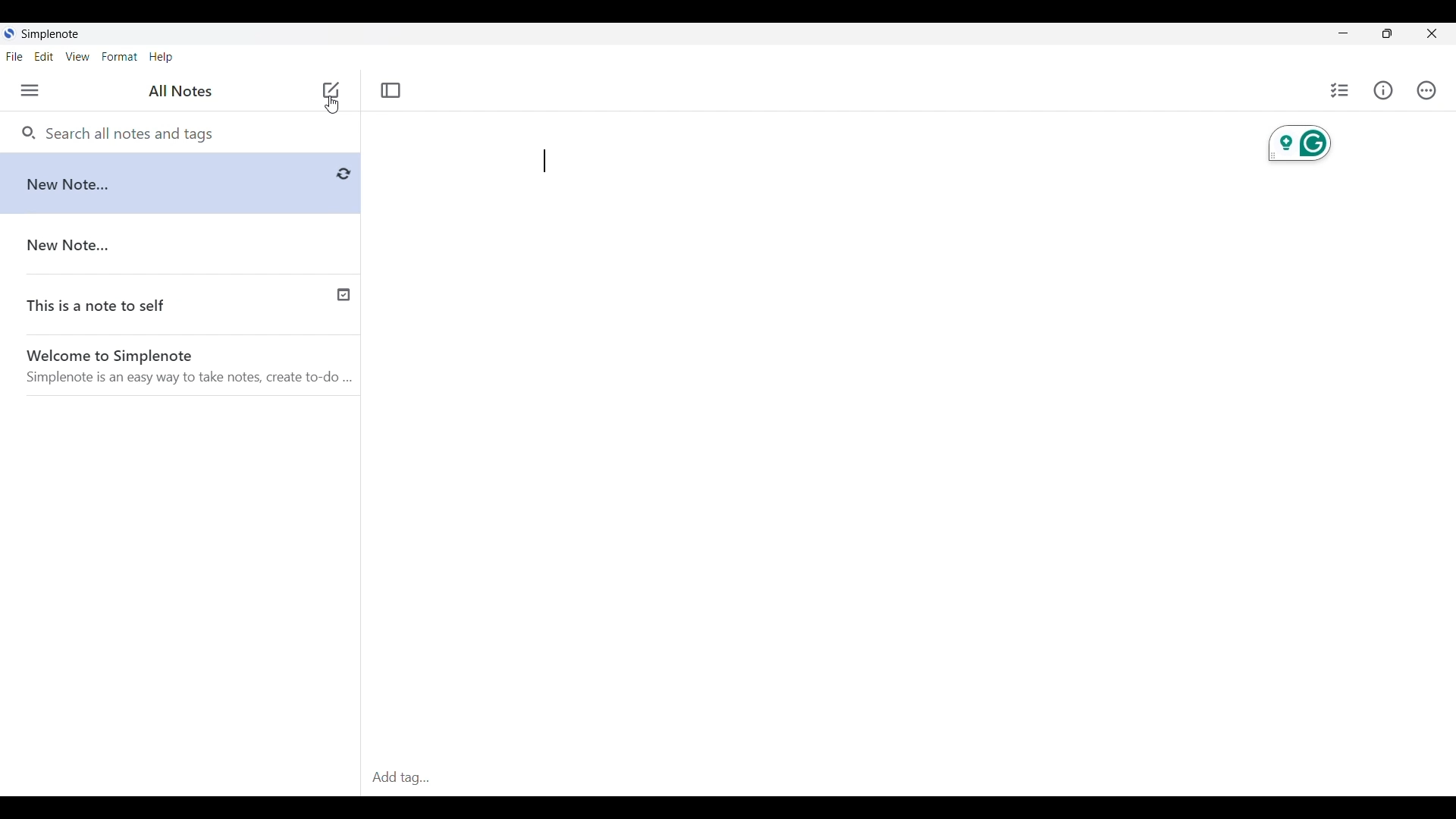 This screenshot has height=819, width=1456. Describe the element at coordinates (78, 56) in the screenshot. I see `View menu` at that location.